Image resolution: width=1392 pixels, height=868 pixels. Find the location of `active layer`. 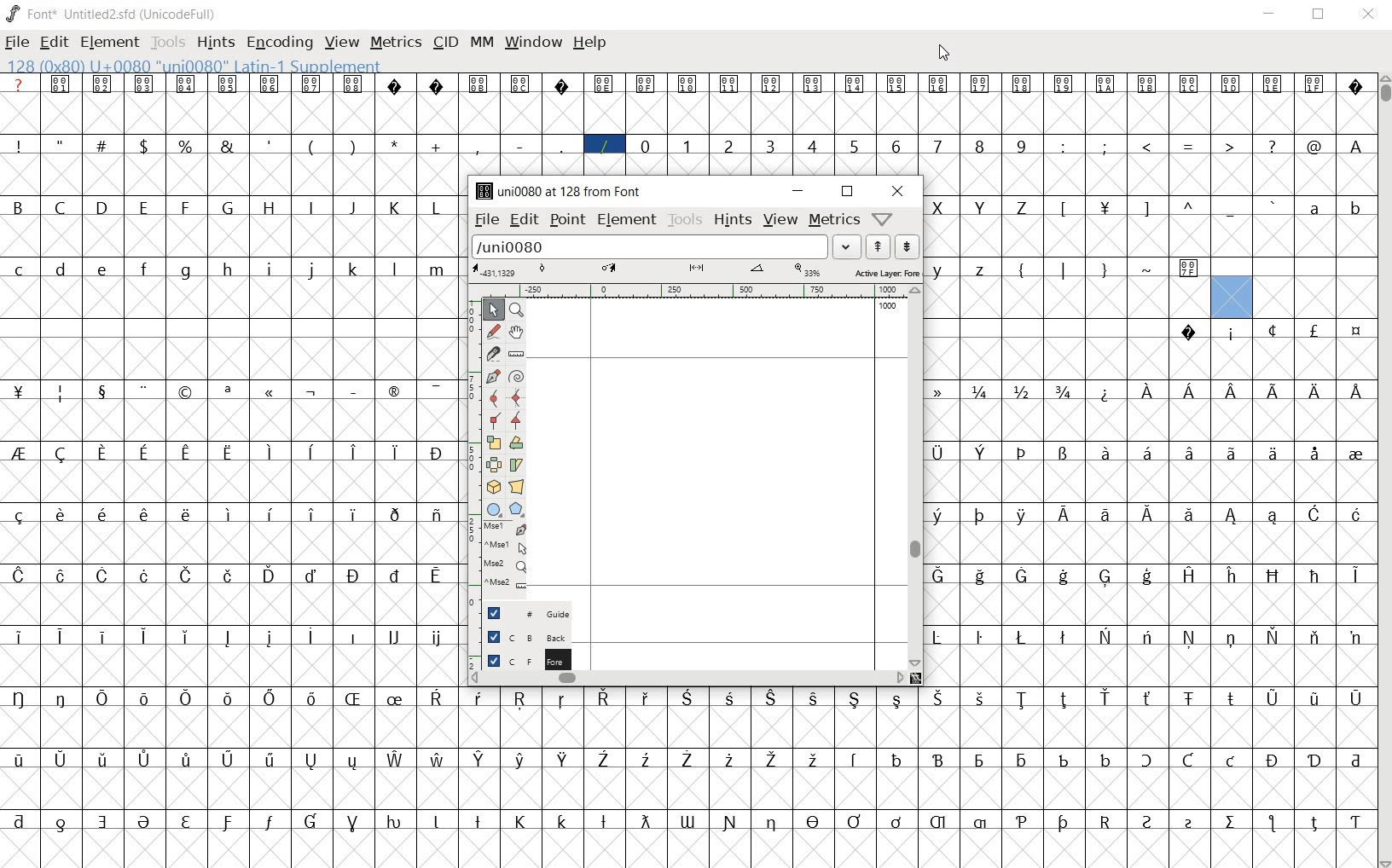

active layer is located at coordinates (696, 273).